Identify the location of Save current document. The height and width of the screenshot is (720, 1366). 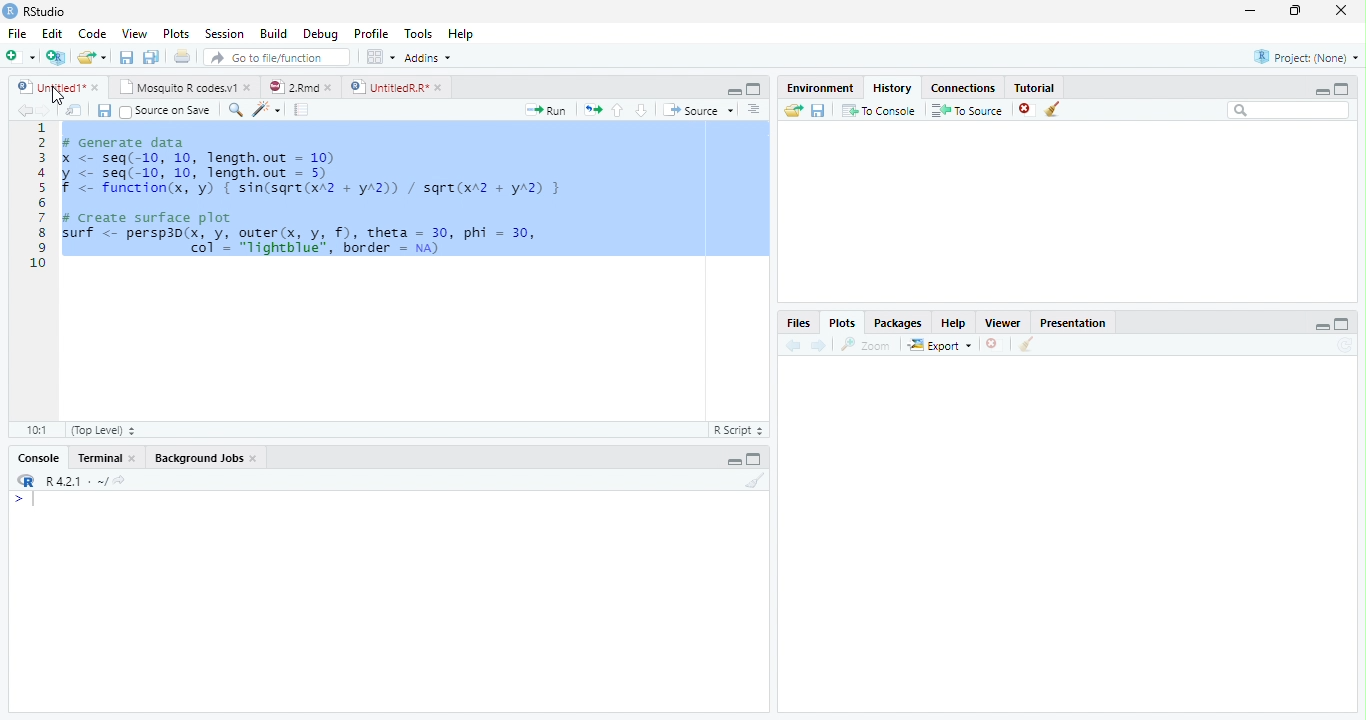
(103, 110).